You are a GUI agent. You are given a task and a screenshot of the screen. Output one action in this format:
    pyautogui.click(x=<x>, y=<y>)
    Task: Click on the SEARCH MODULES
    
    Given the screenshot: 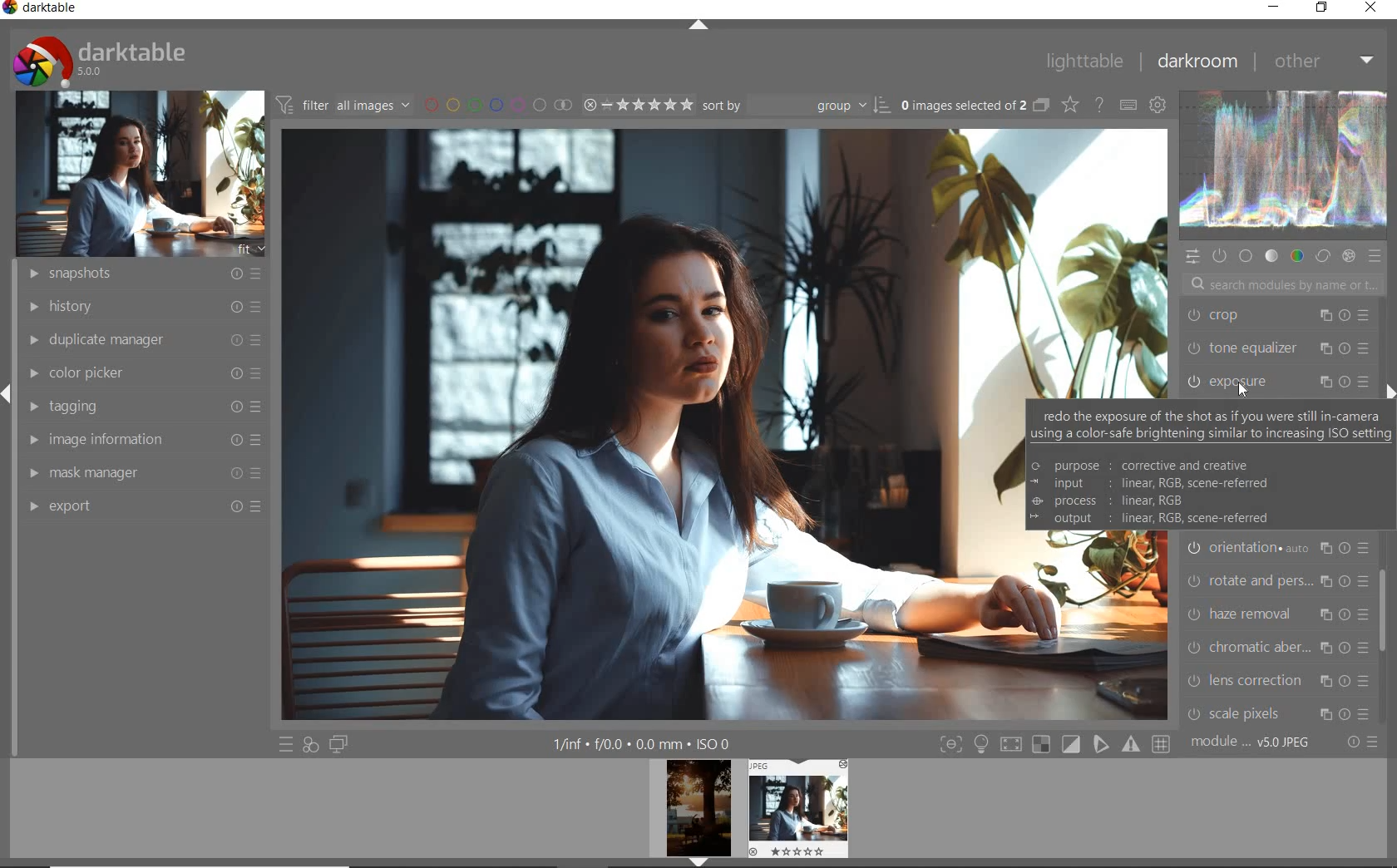 What is the action you would take?
    pyautogui.click(x=1283, y=284)
    